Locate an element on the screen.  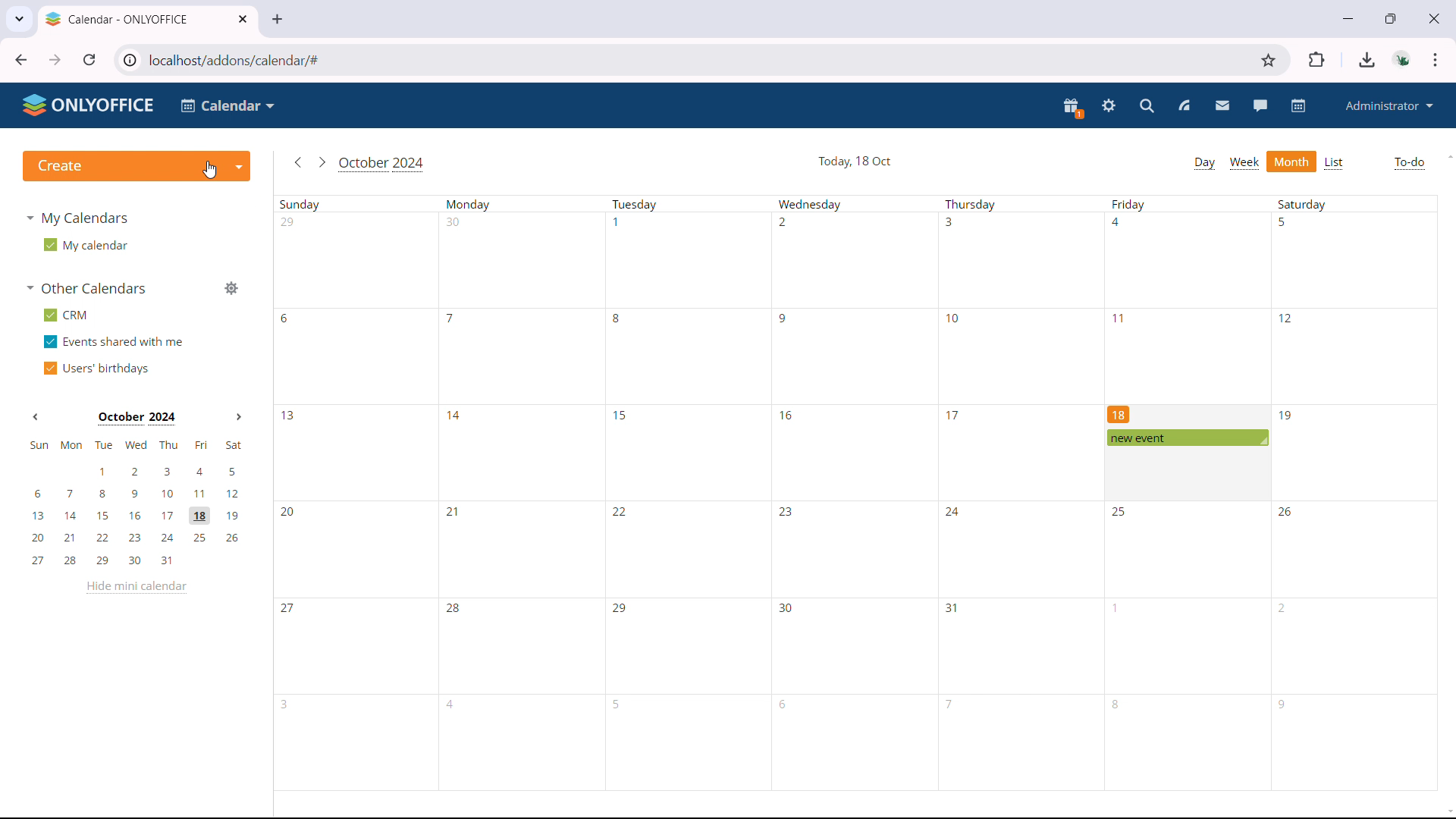
ONLYOFFICE is located at coordinates (89, 105).